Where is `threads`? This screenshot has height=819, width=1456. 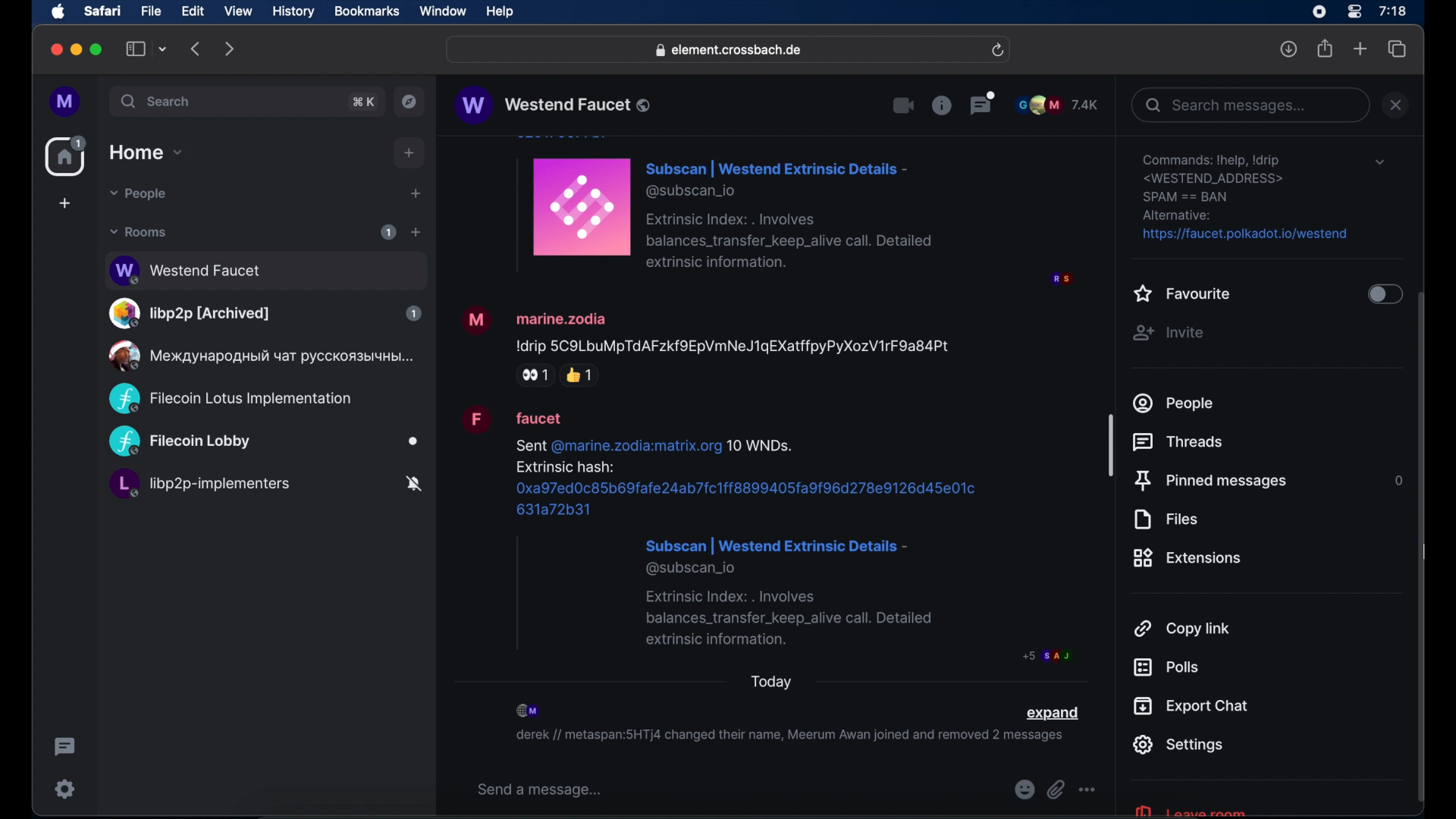 threads is located at coordinates (1181, 442).